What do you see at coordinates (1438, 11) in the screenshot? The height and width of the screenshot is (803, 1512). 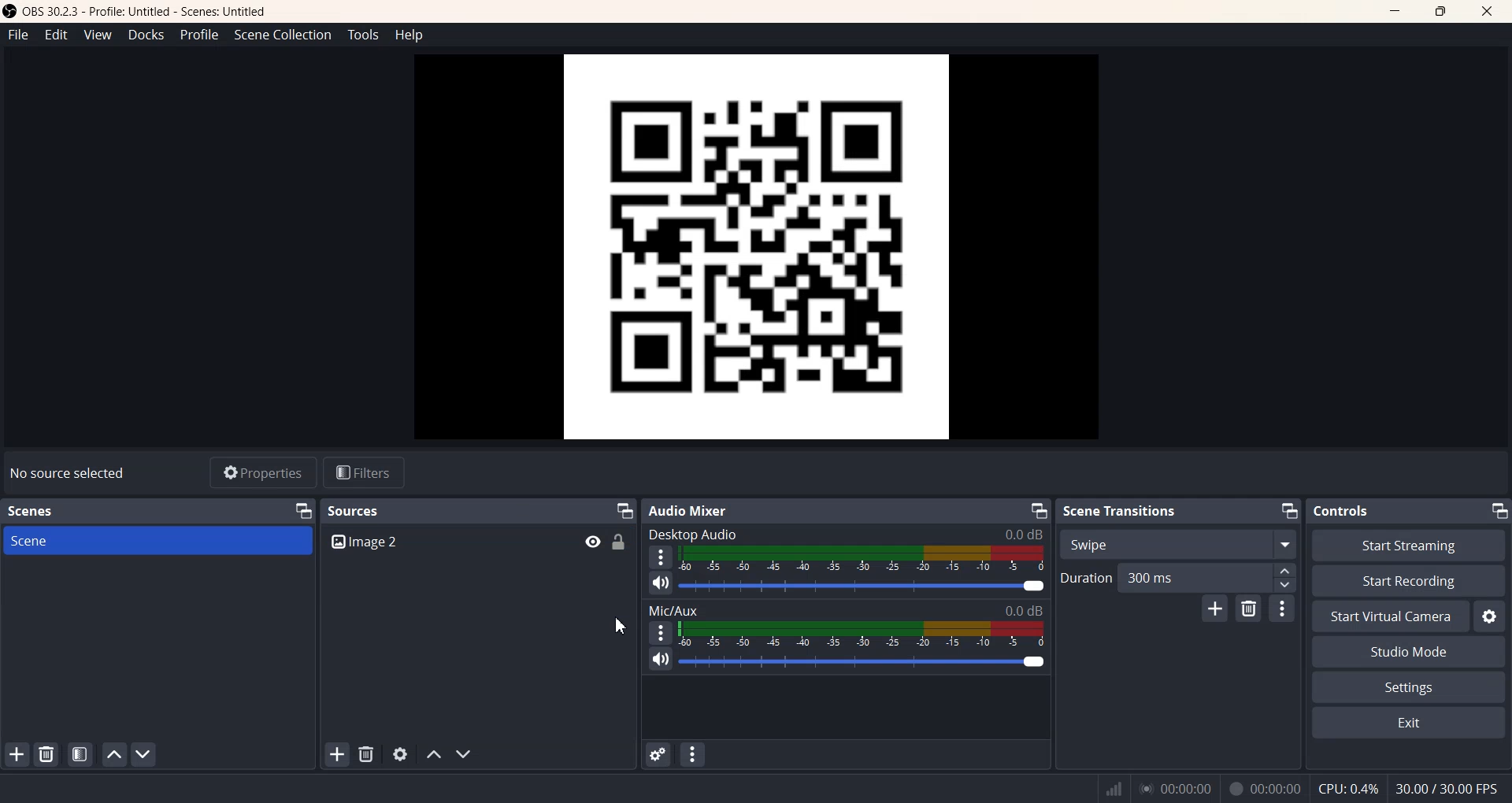 I see `Restore down` at bounding box center [1438, 11].